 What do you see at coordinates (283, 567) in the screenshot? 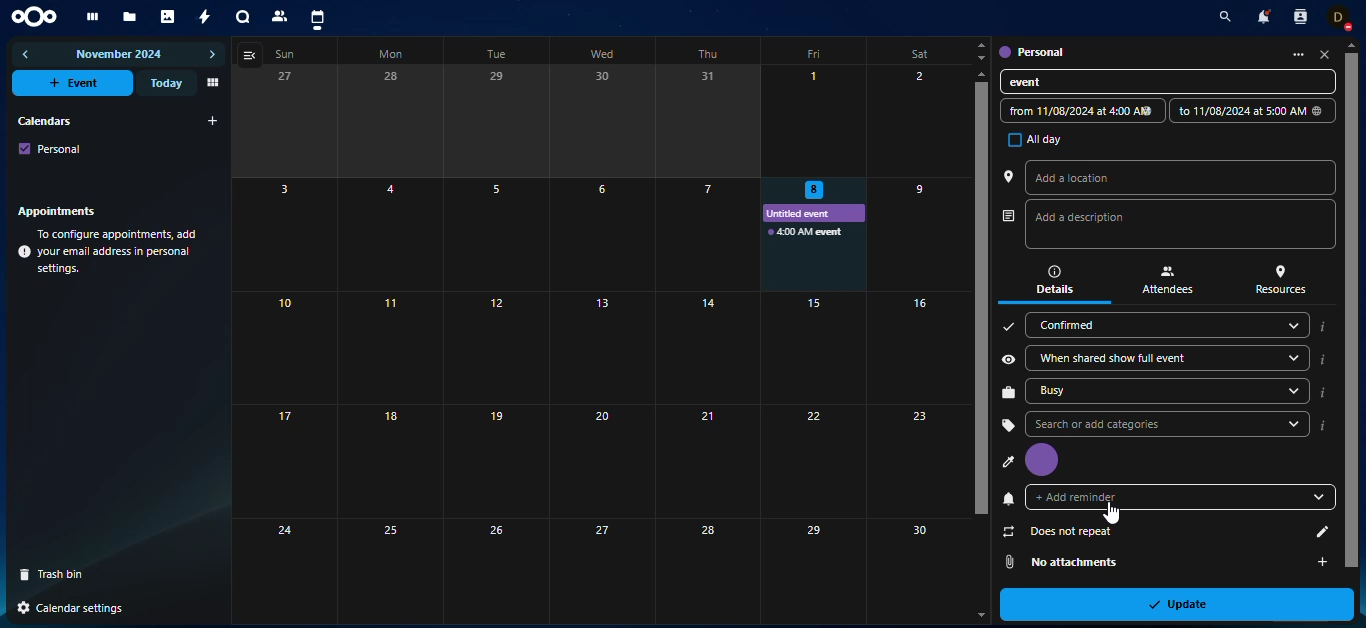
I see `24` at bounding box center [283, 567].